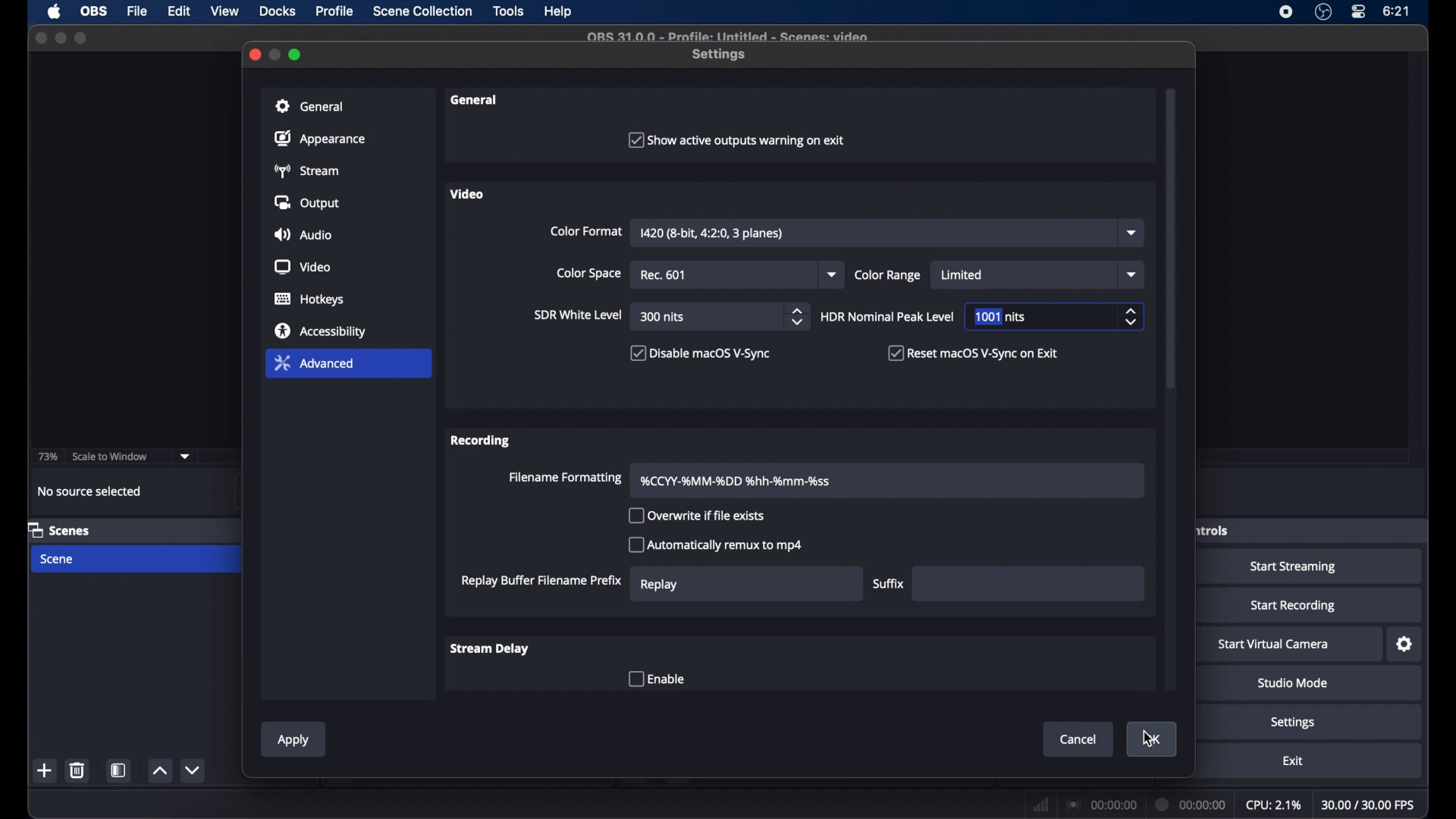 This screenshot has width=1456, height=819. Describe the element at coordinates (310, 106) in the screenshot. I see `general` at that location.